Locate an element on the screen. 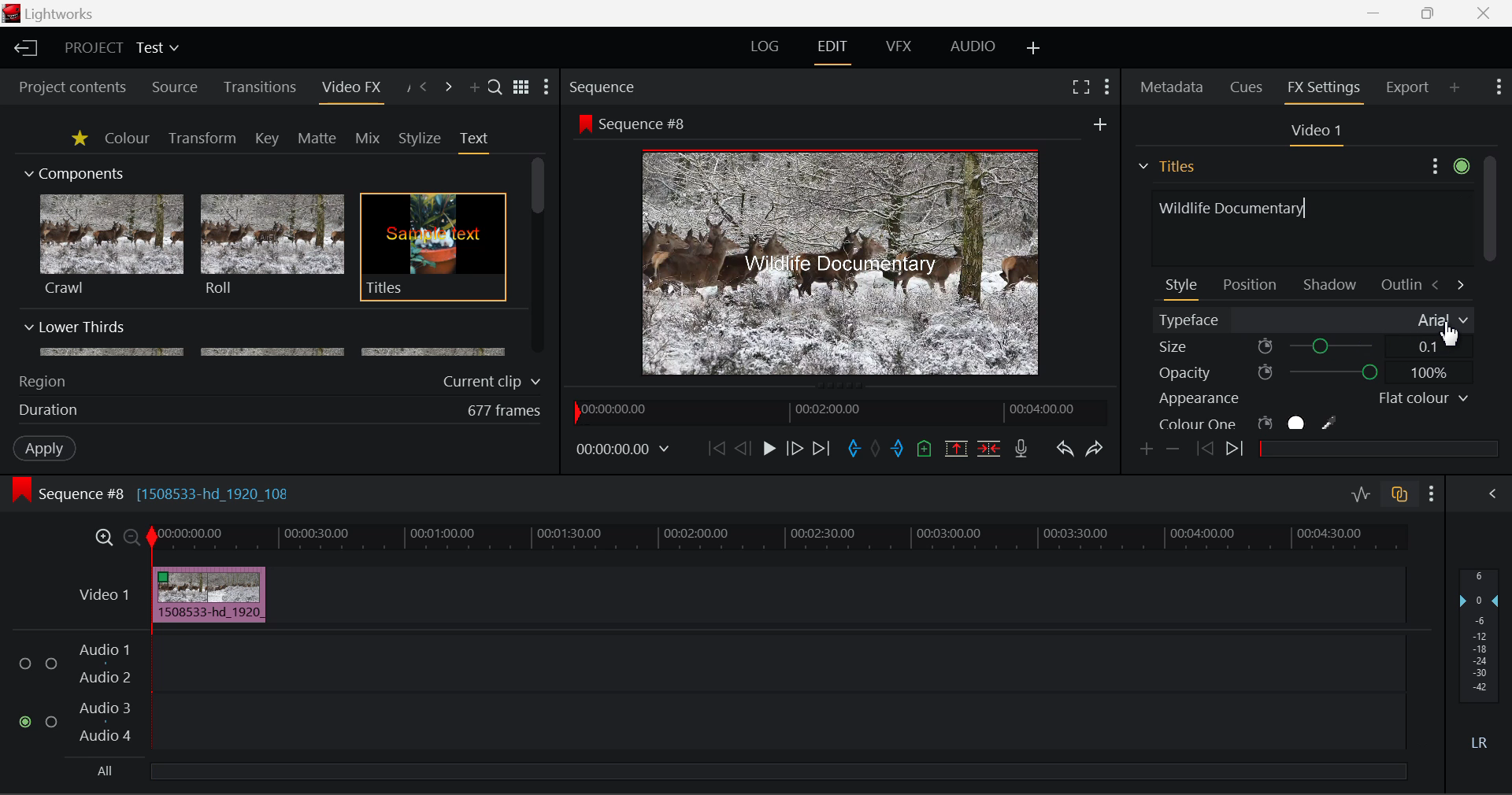 This screenshot has height=795, width=1512. Full Screen is located at coordinates (1081, 86).